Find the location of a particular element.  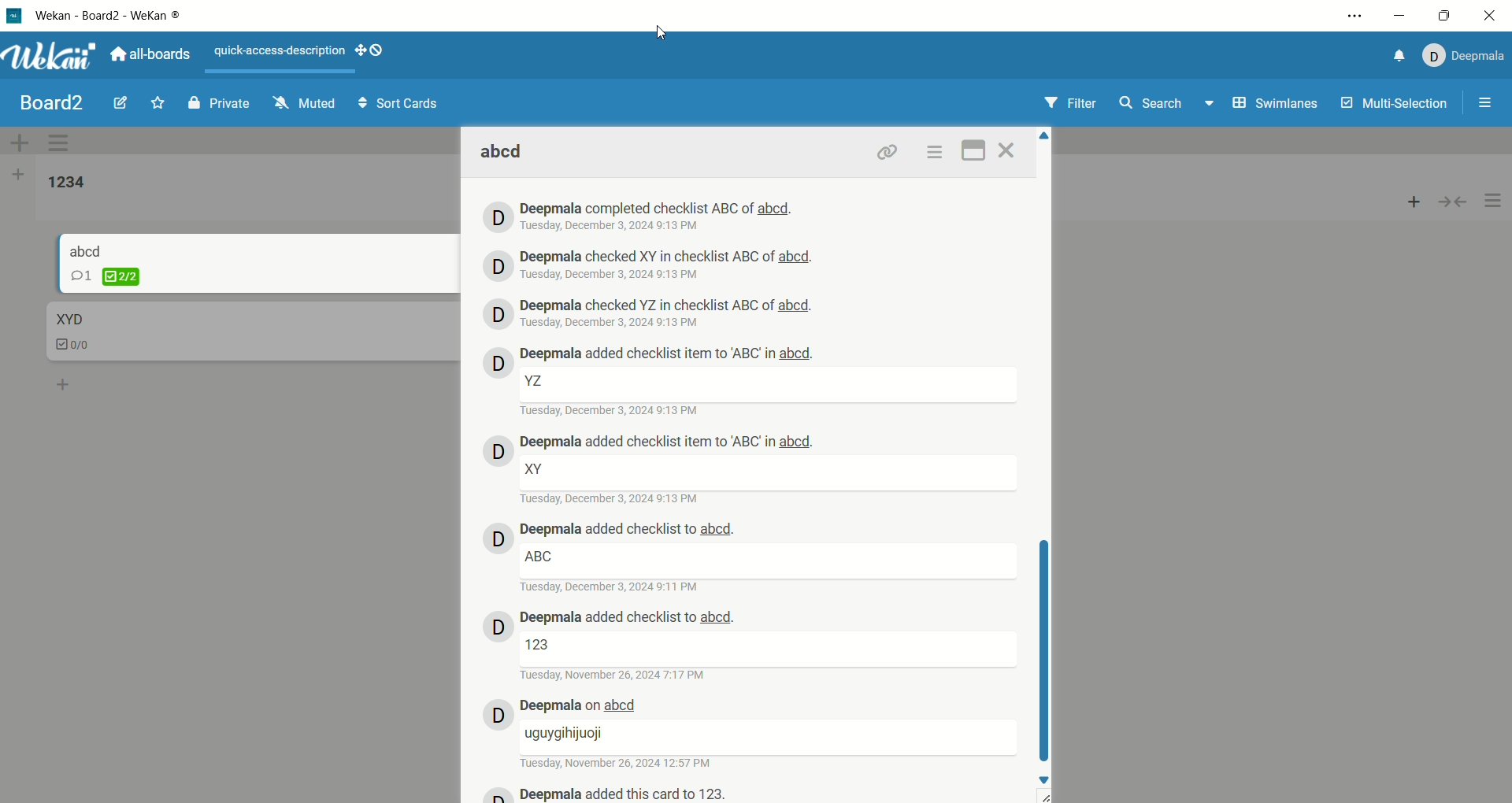

text is located at coordinates (542, 644).